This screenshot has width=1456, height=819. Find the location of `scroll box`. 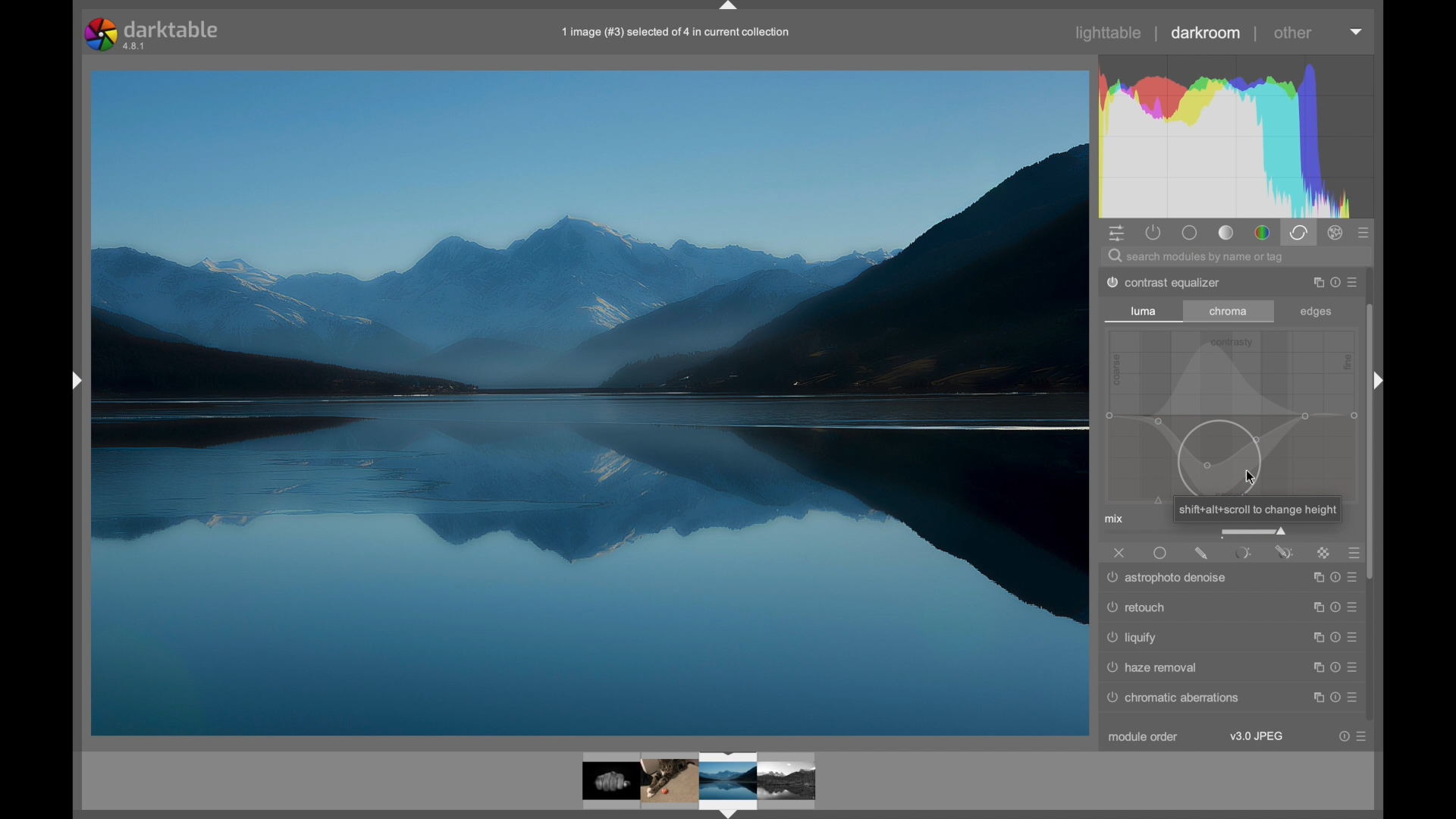

scroll box is located at coordinates (1370, 482).